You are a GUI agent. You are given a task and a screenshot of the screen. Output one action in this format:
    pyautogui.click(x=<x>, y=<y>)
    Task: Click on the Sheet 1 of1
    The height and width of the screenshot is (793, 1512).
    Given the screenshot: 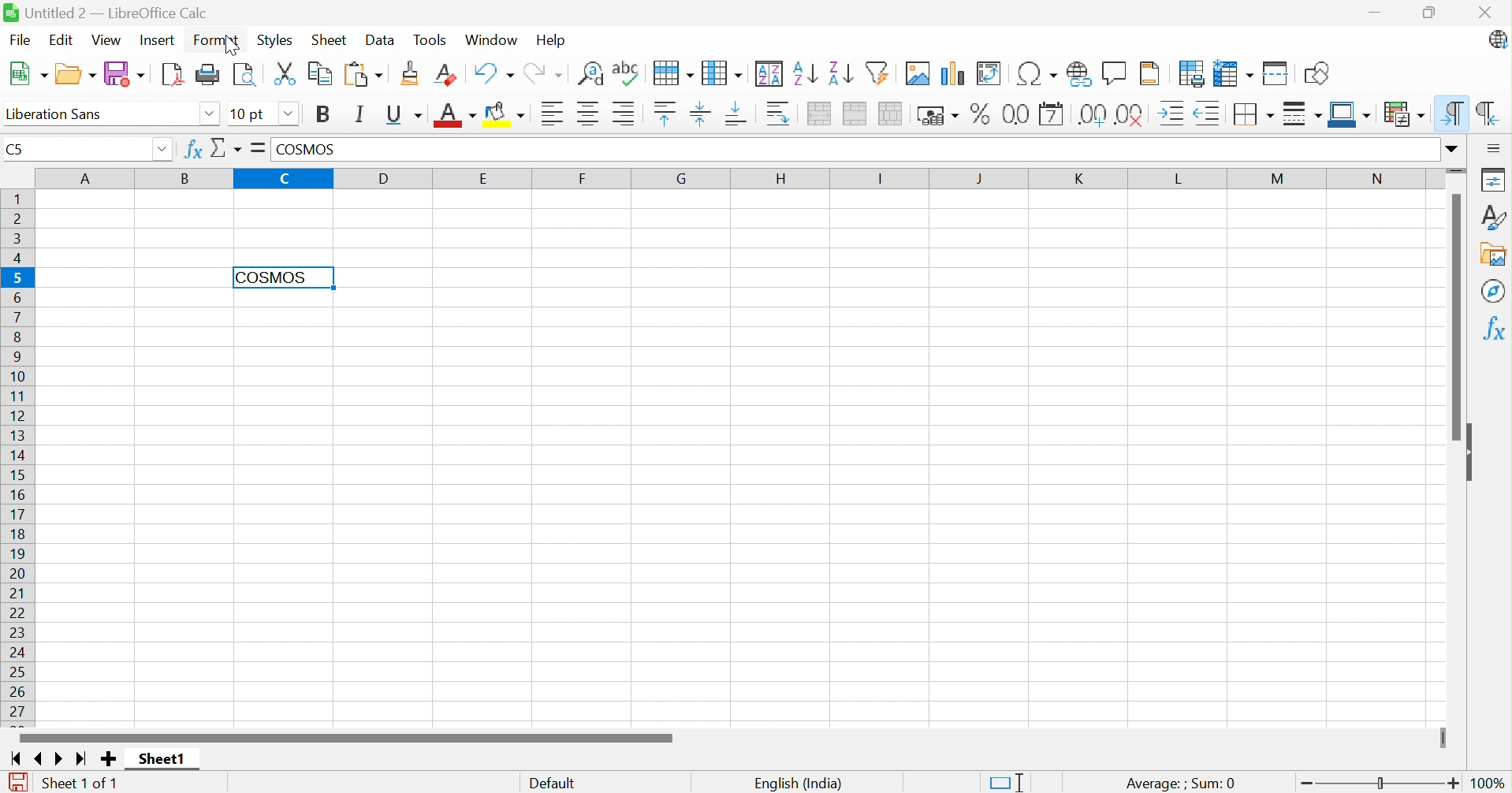 What is the action you would take?
    pyautogui.click(x=80, y=784)
    